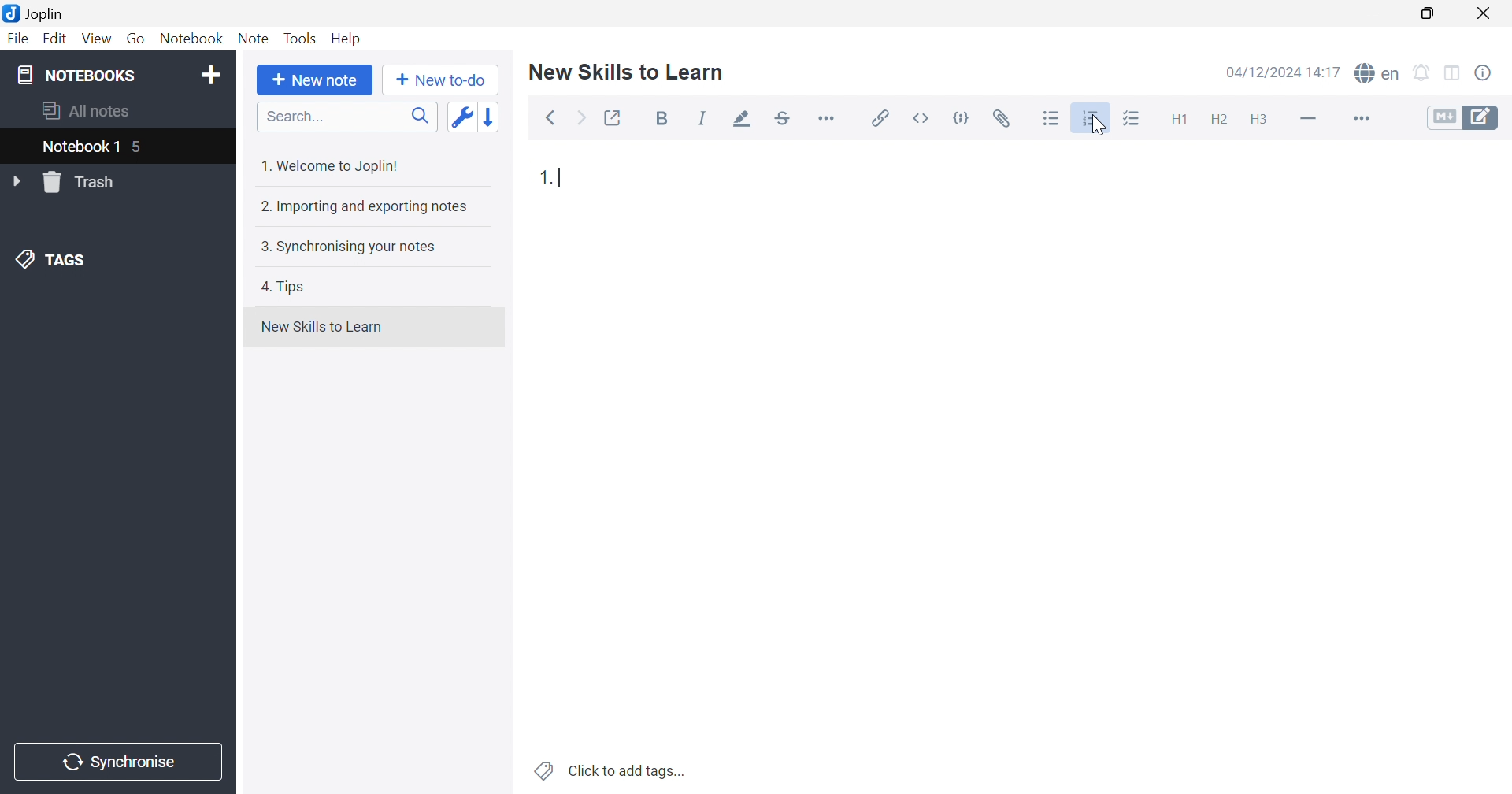 The width and height of the screenshot is (1512, 794). Describe the element at coordinates (347, 117) in the screenshot. I see `Search...` at that location.